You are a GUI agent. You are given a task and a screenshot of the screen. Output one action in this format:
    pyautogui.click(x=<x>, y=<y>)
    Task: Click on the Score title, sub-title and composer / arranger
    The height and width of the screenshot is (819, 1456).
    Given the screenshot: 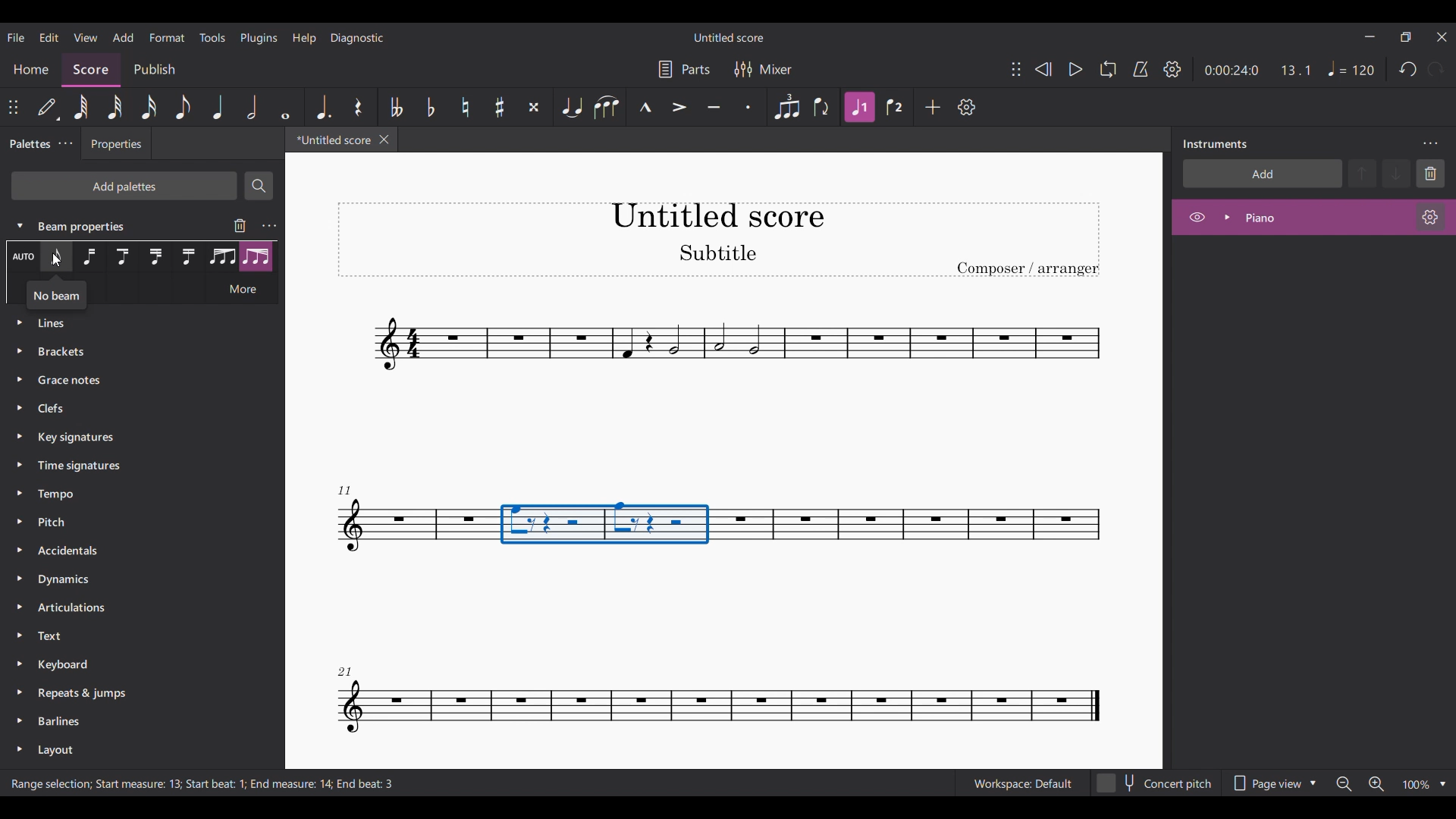 What is the action you would take?
    pyautogui.click(x=718, y=240)
    